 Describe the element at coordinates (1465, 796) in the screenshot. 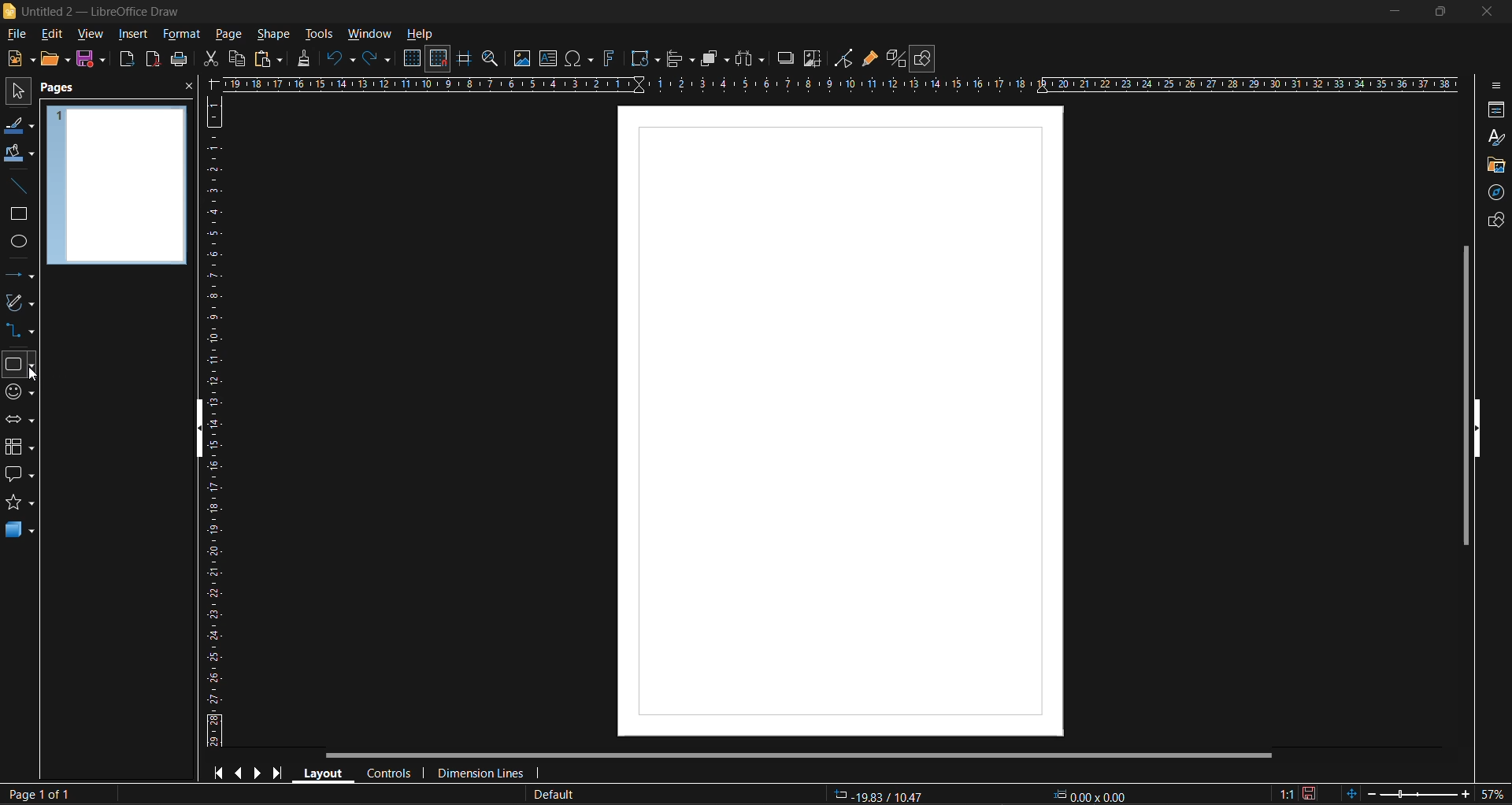

I see `zoom in` at that location.